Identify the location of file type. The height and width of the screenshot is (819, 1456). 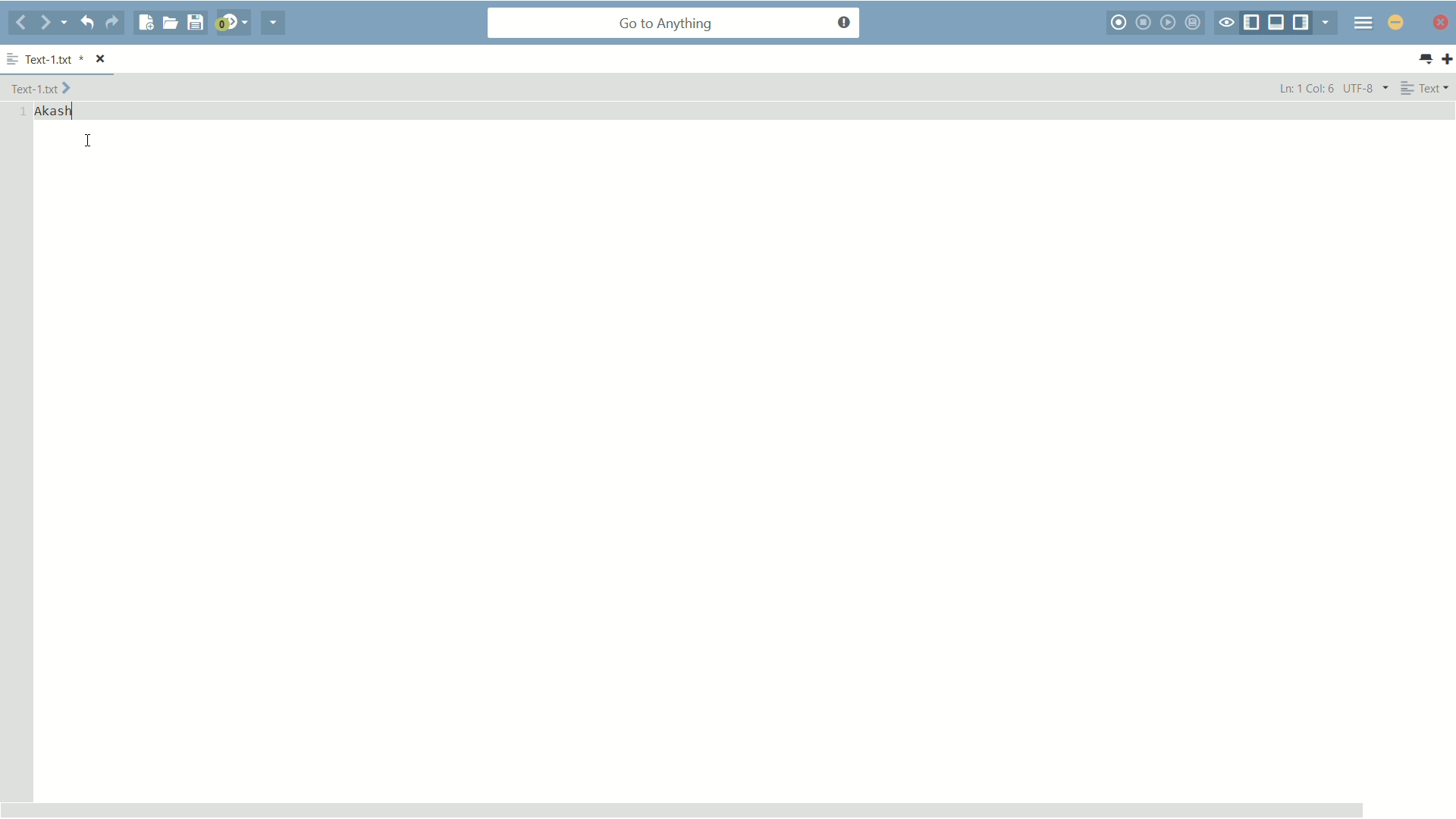
(1428, 89).